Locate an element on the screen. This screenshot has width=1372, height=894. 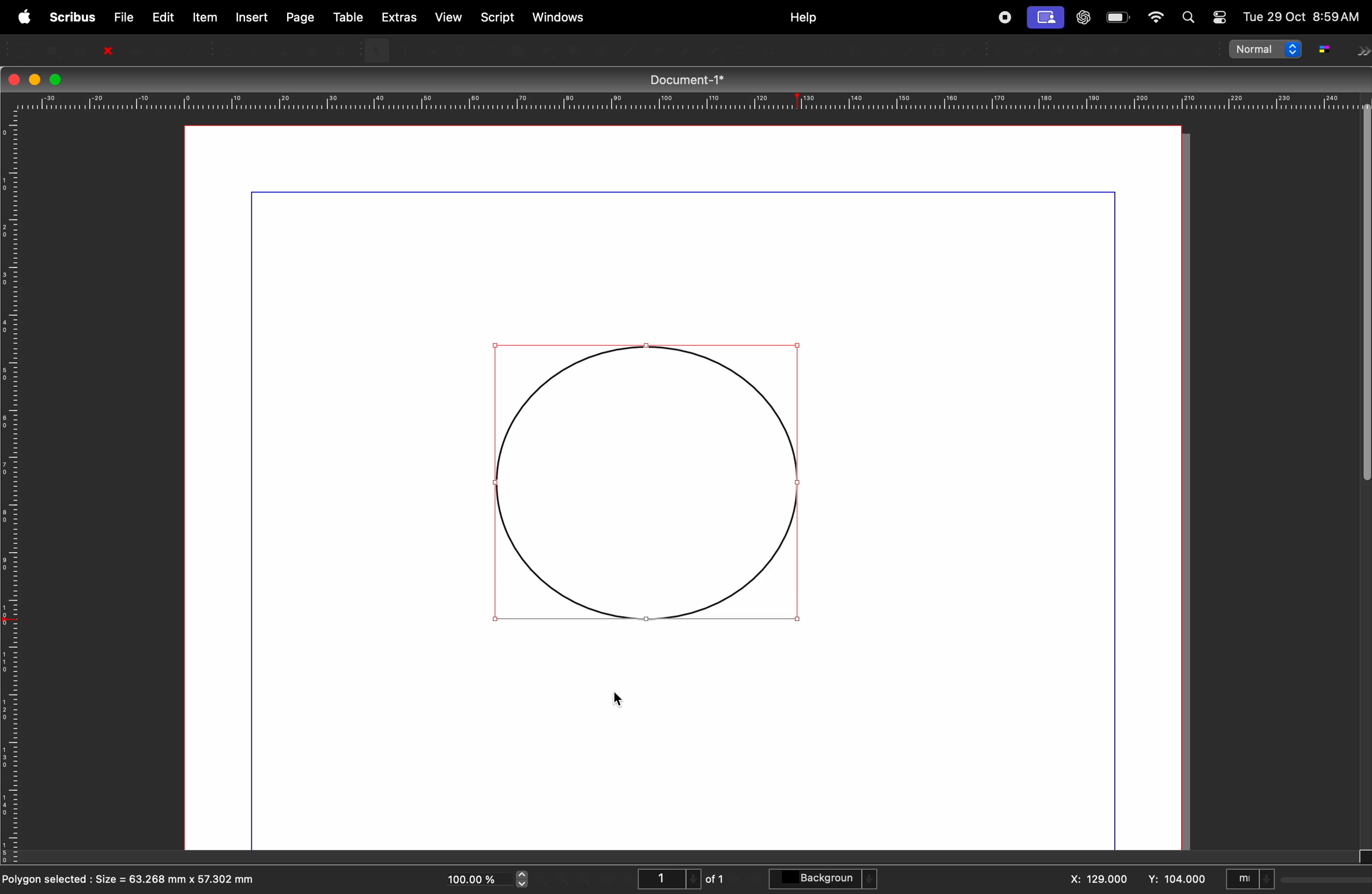
x: 129.000 is located at coordinates (1096, 878).